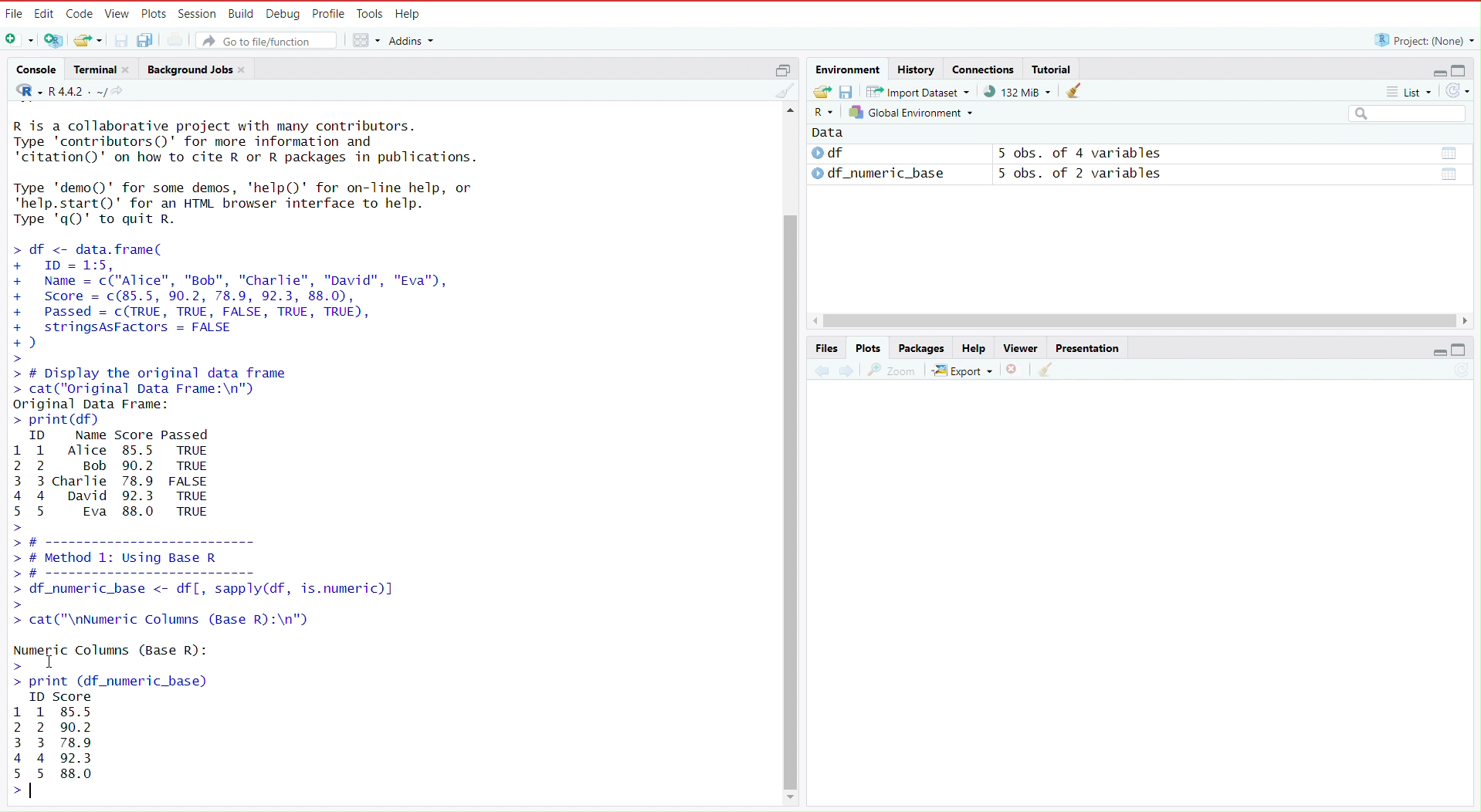 The width and height of the screenshot is (1481, 812). What do you see at coordinates (825, 347) in the screenshot?
I see `Files` at bounding box center [825, 347].